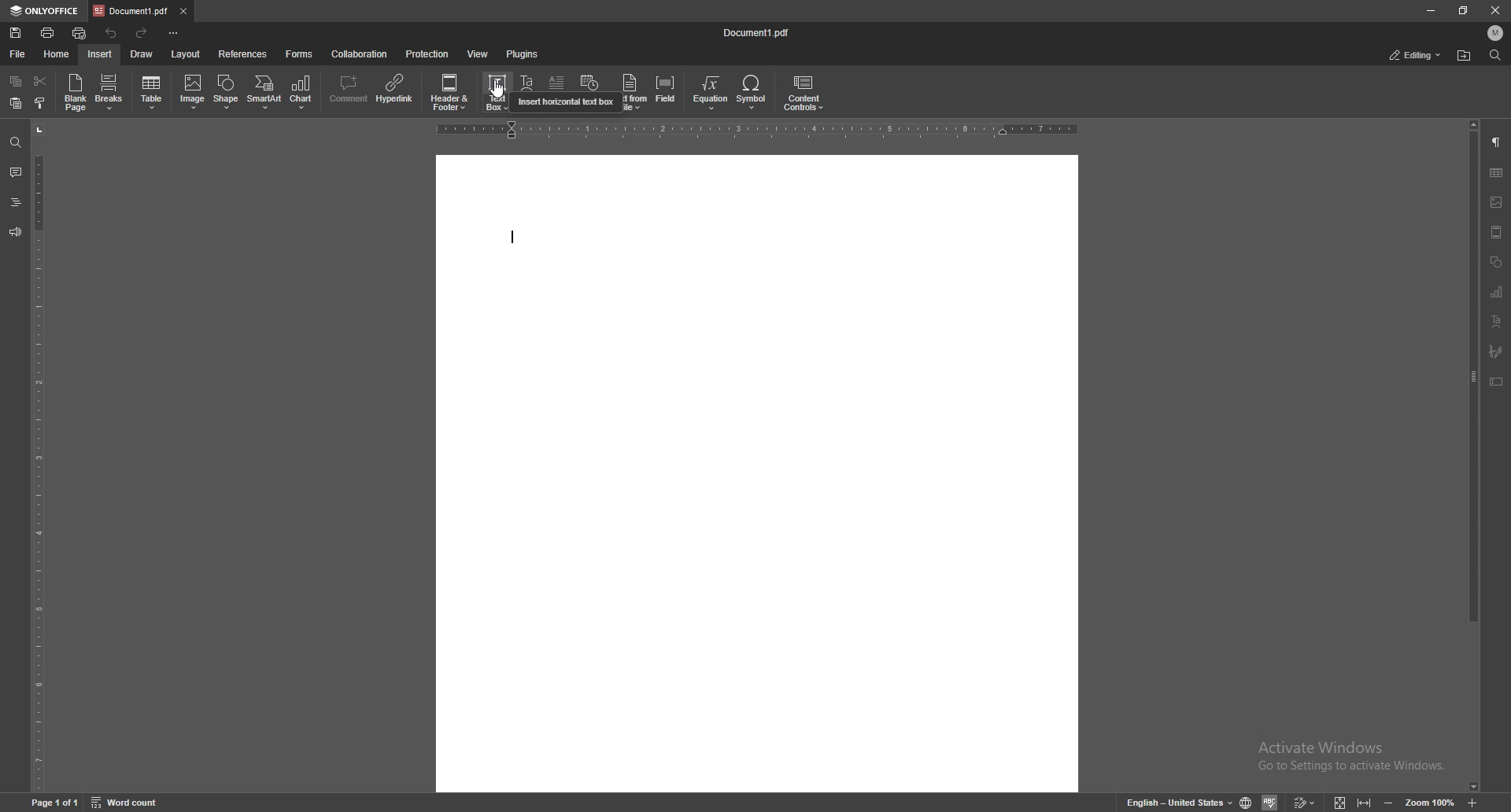 This screenshot has width=1511, height=812. What do you see at coordinates (1496, 321) in the screenshot?
I see `text art` at bounding box center [1496, 321].